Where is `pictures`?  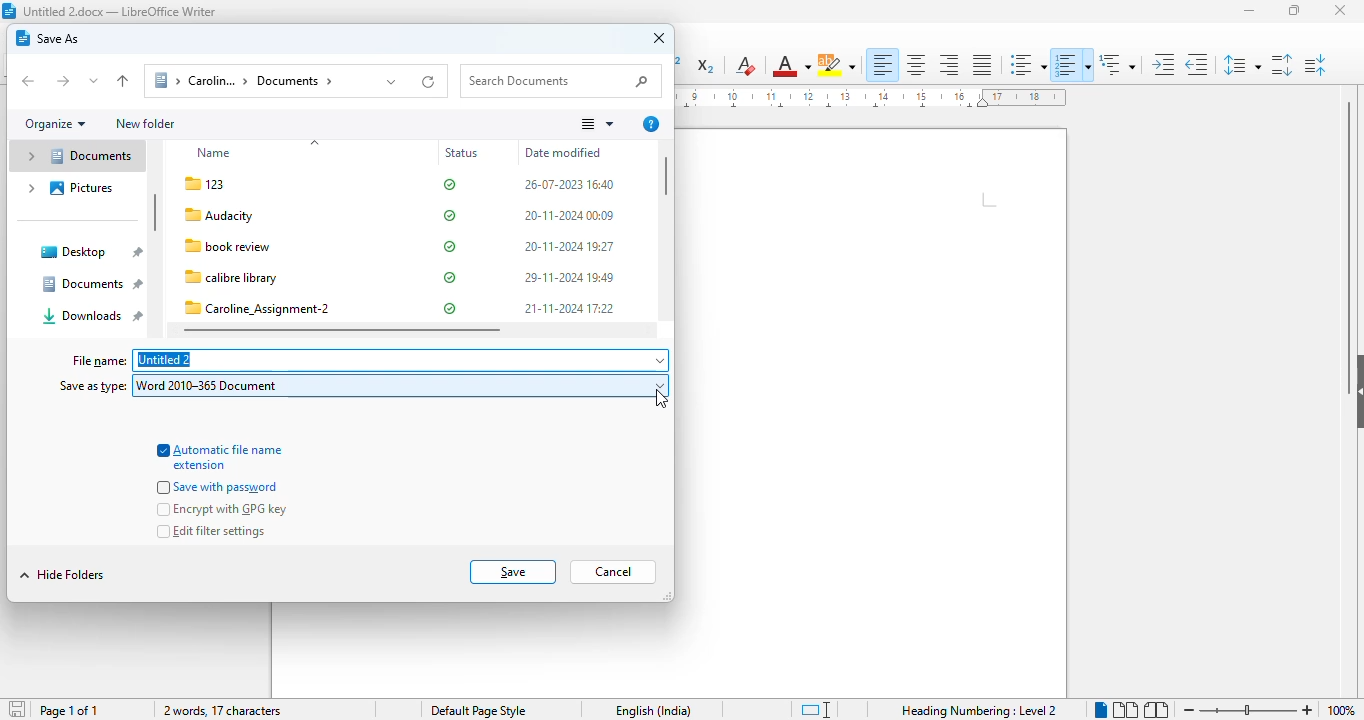 pictures is located at coordinates (68, 188).